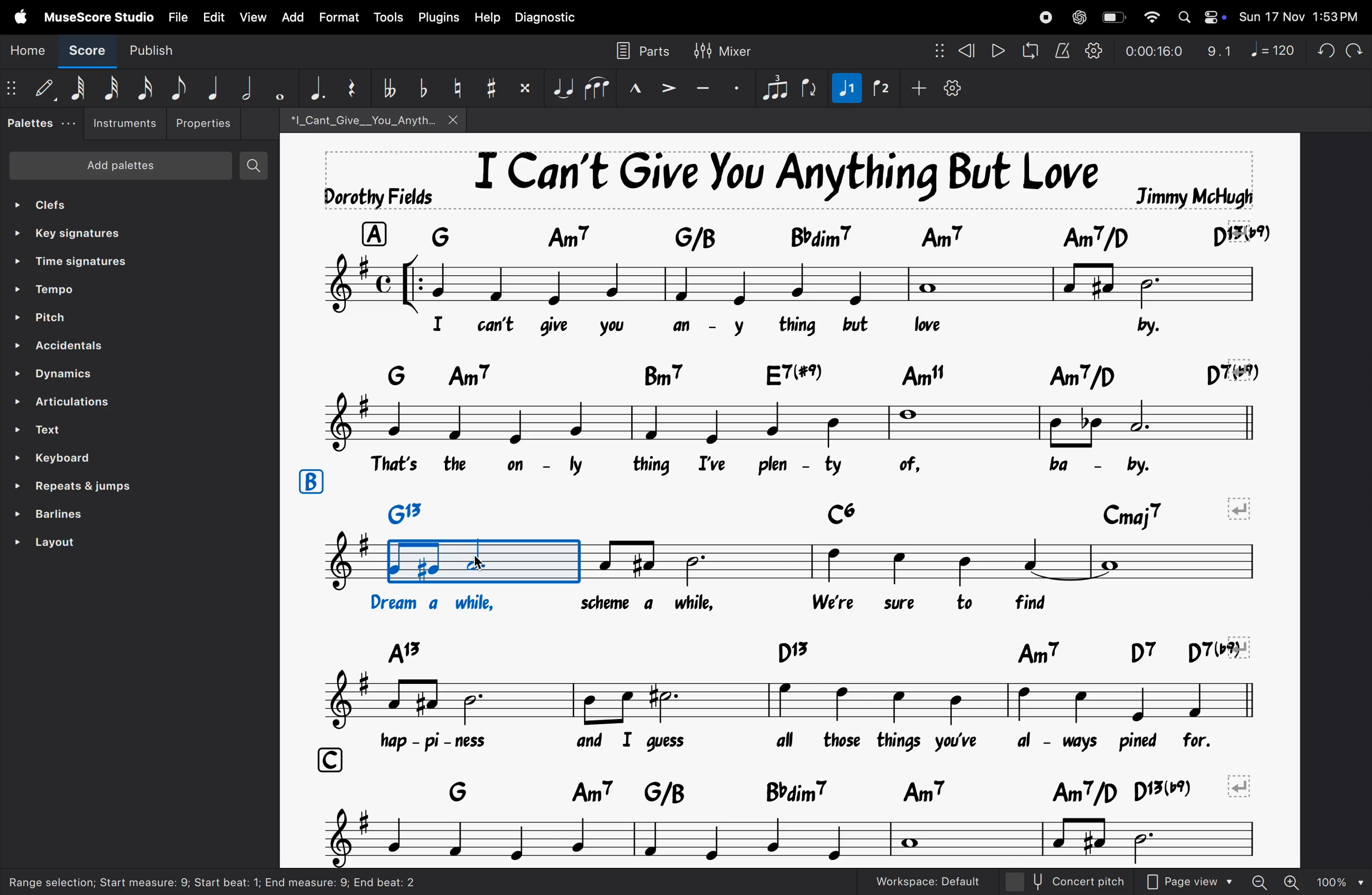 The width and height of the screenshot is (1372, 895). What do you see at coordinates (807, 235) in the screenshot?
I see `keyboard asiggned notes` at bounding box center [807, 235].